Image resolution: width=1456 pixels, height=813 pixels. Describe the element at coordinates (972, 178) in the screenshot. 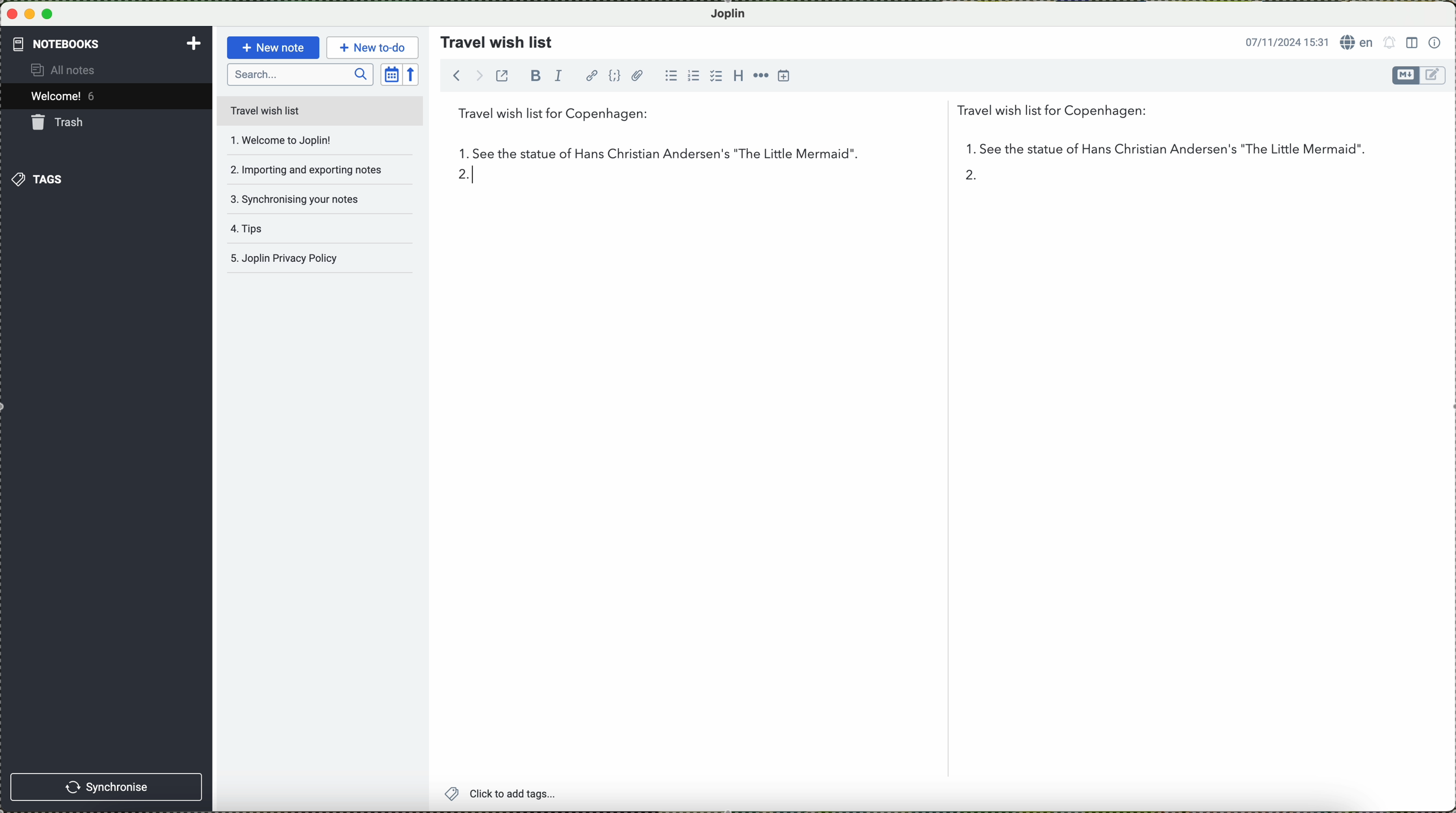

I see `2 in the list` at that location.